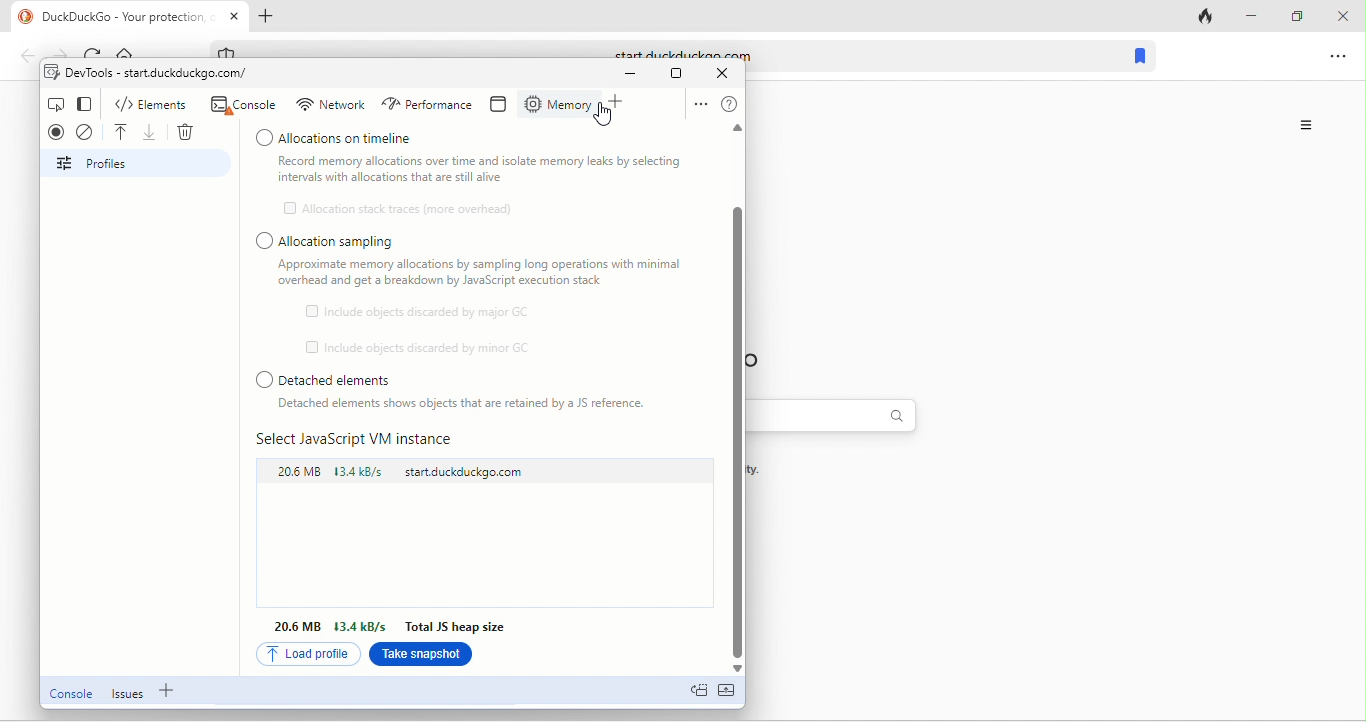 The image size is (1366, 722). What do you see at coordinates (59, 131) in the screenshot?
I see `record` at bounding box center [59, 131].